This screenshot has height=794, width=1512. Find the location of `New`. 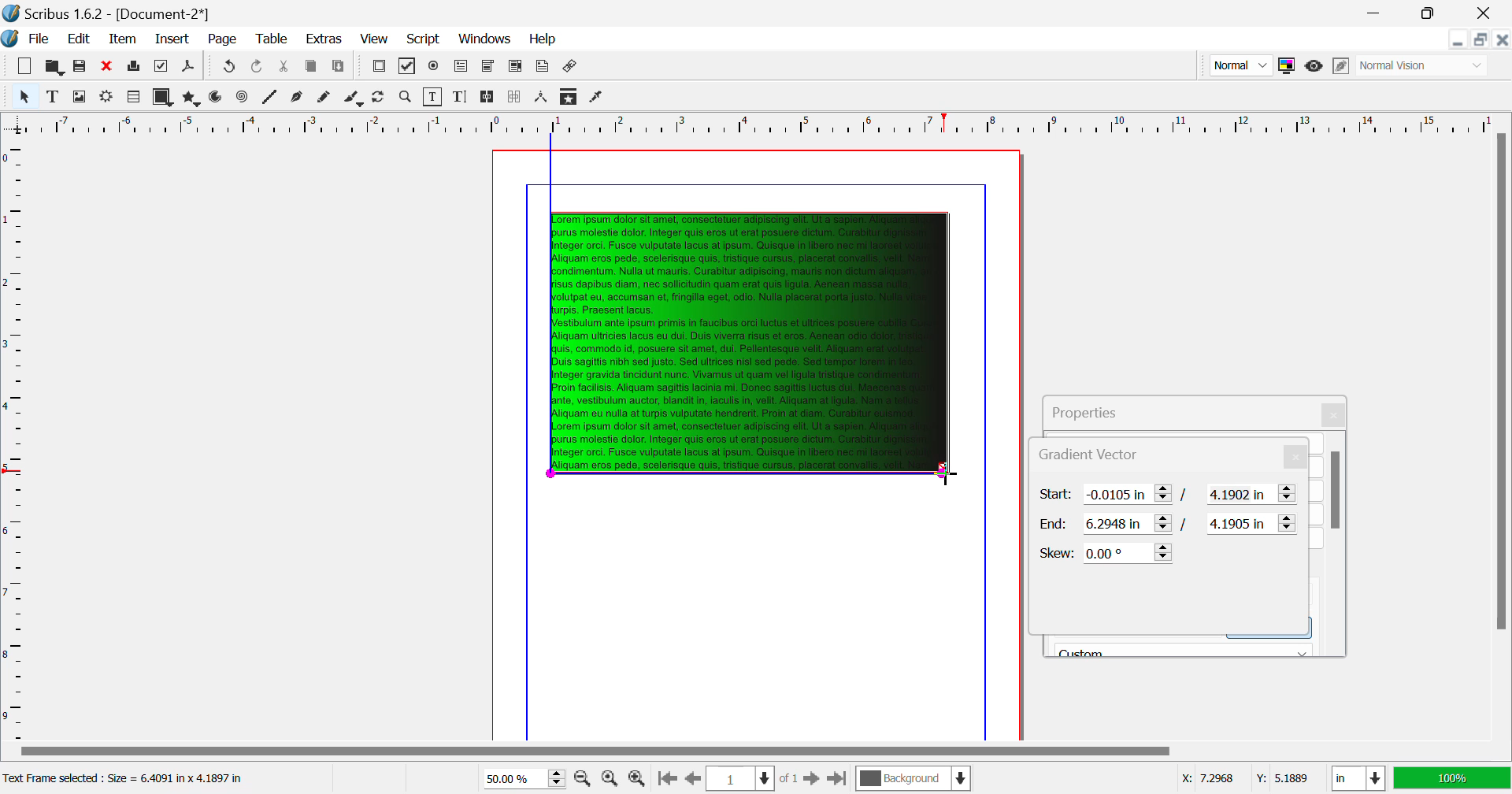

New is located at coordinates (25, 66).